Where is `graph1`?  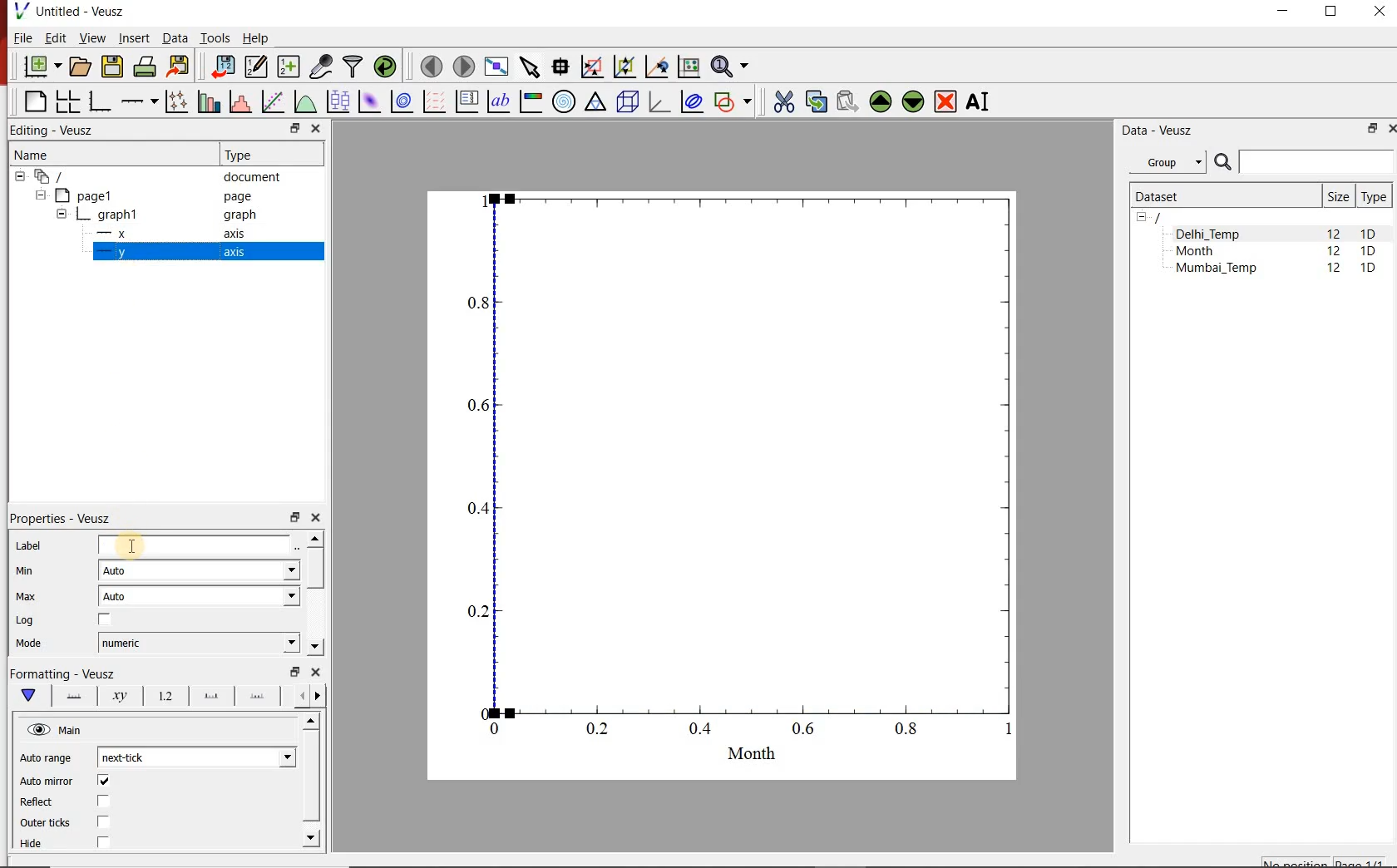
graph1 is located at coordinates (158, 215).